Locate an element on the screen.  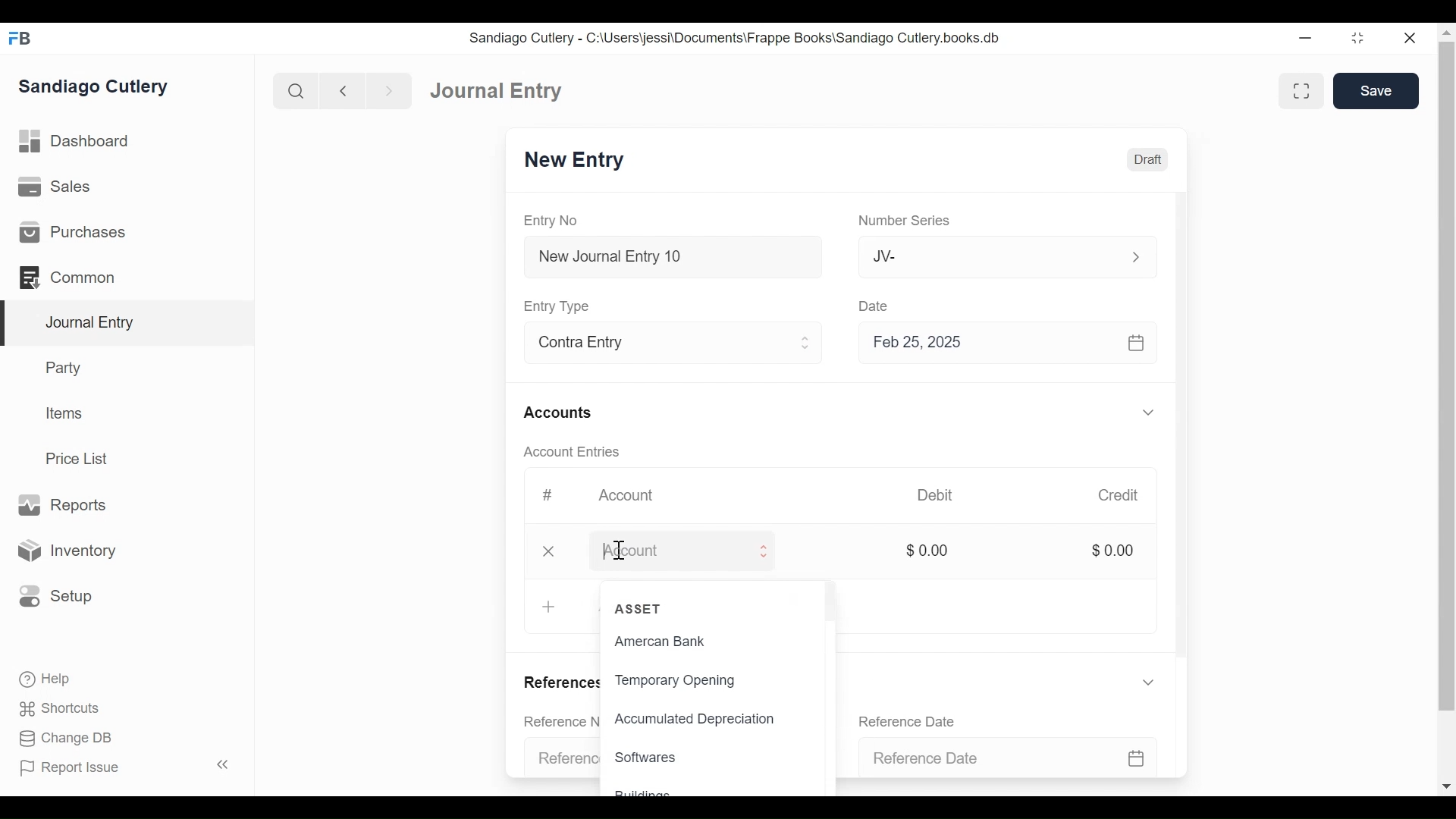
Common is located at coordinates (68, 276).